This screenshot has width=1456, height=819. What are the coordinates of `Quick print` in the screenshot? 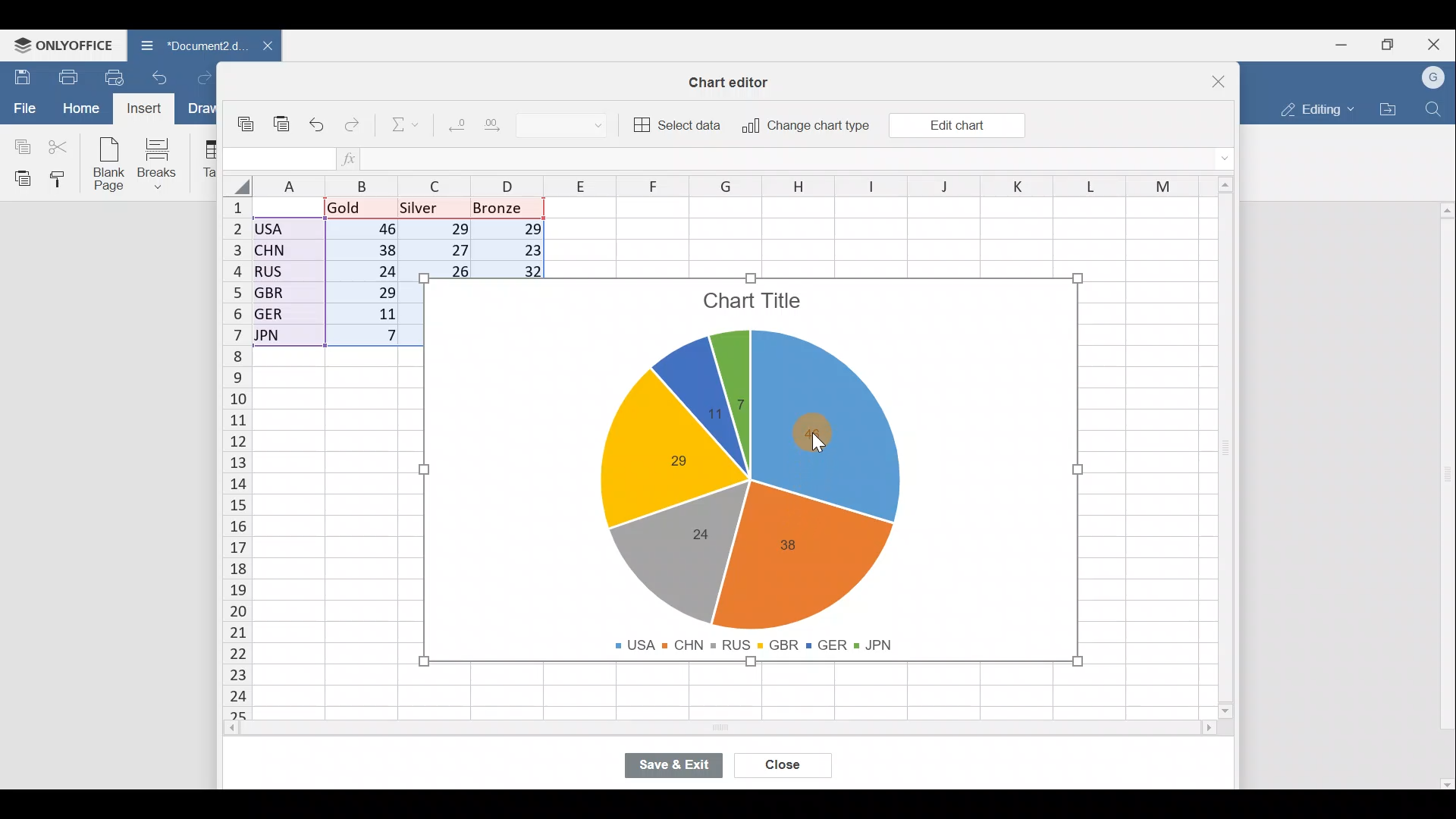 It's located at (119, 74).